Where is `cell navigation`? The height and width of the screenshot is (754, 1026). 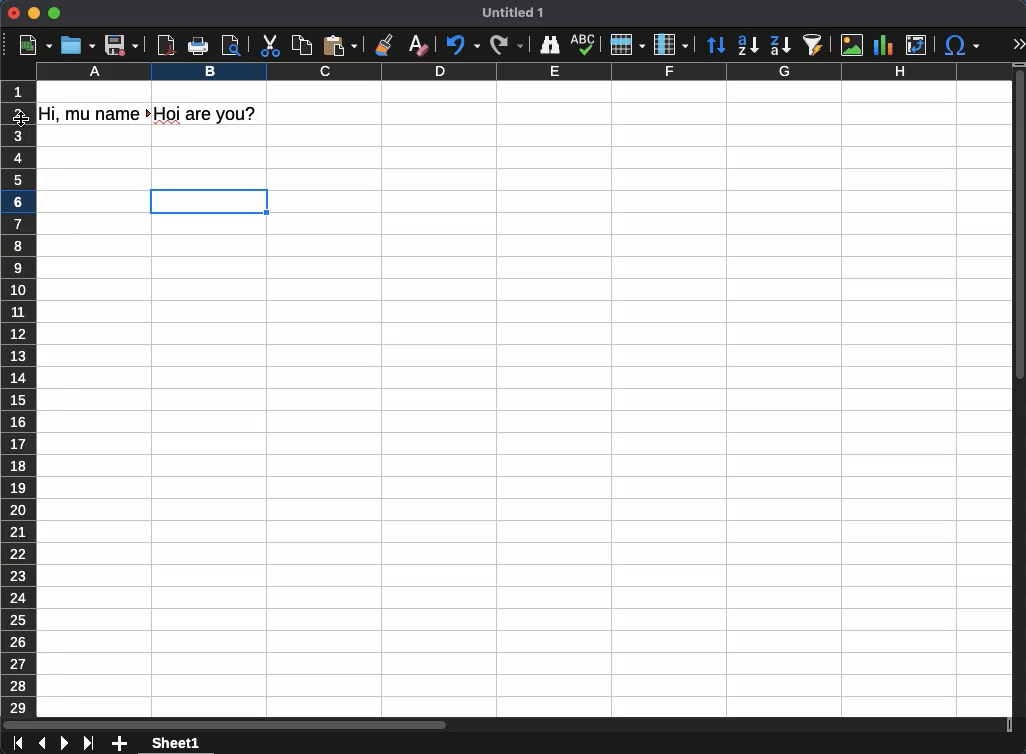 cell navigation is located at coordinates (210, 203).